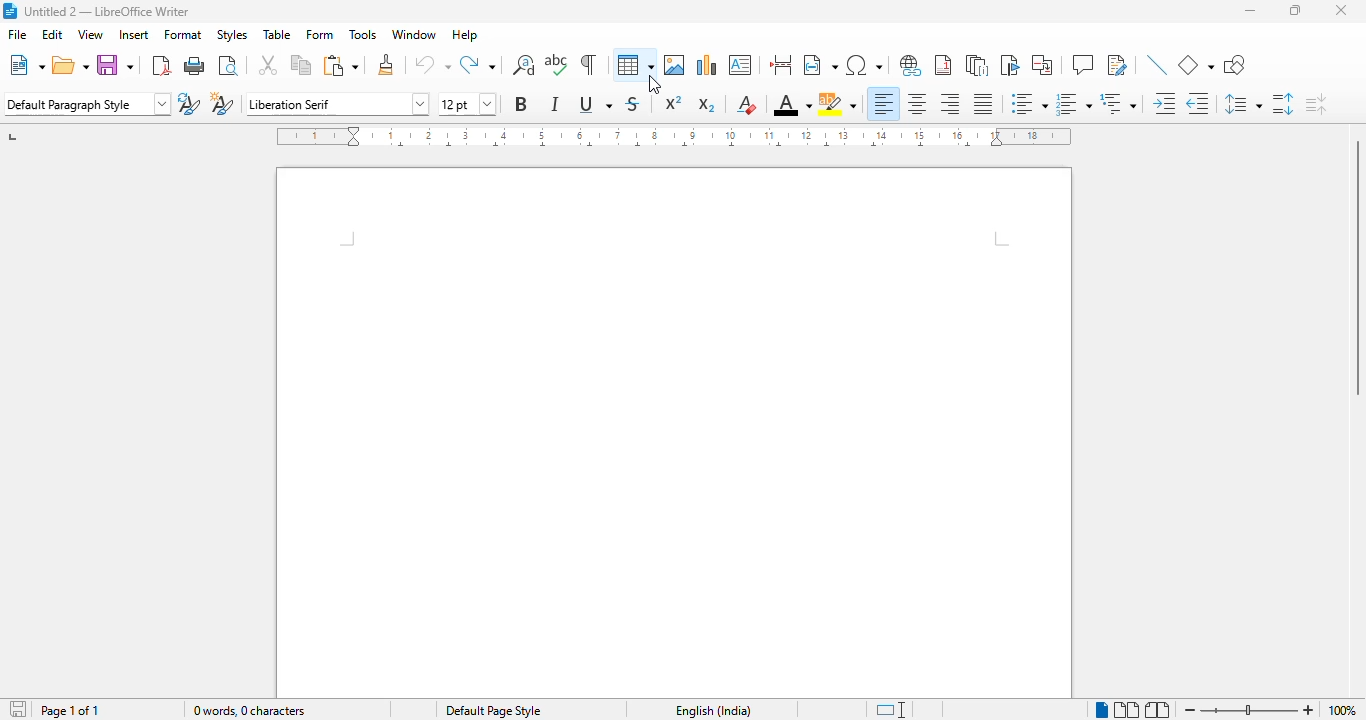 The width and height of the screenshot is (1366, 720). Describe the element at coordinates (557, 64) in the screenshot. I see `spelling` at that location.